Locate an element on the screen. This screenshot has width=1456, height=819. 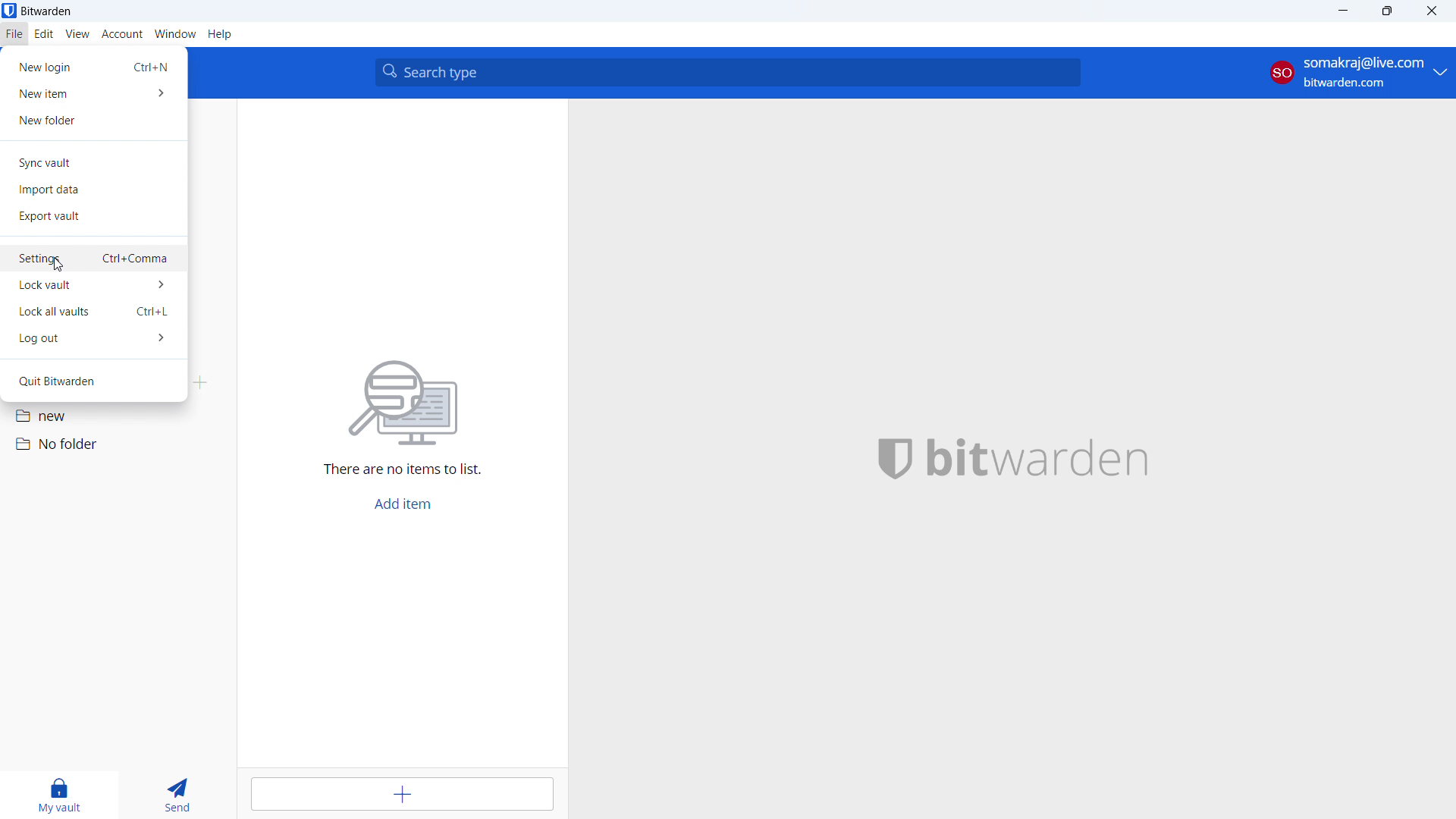
new folder is located at coordinates (93, 120).